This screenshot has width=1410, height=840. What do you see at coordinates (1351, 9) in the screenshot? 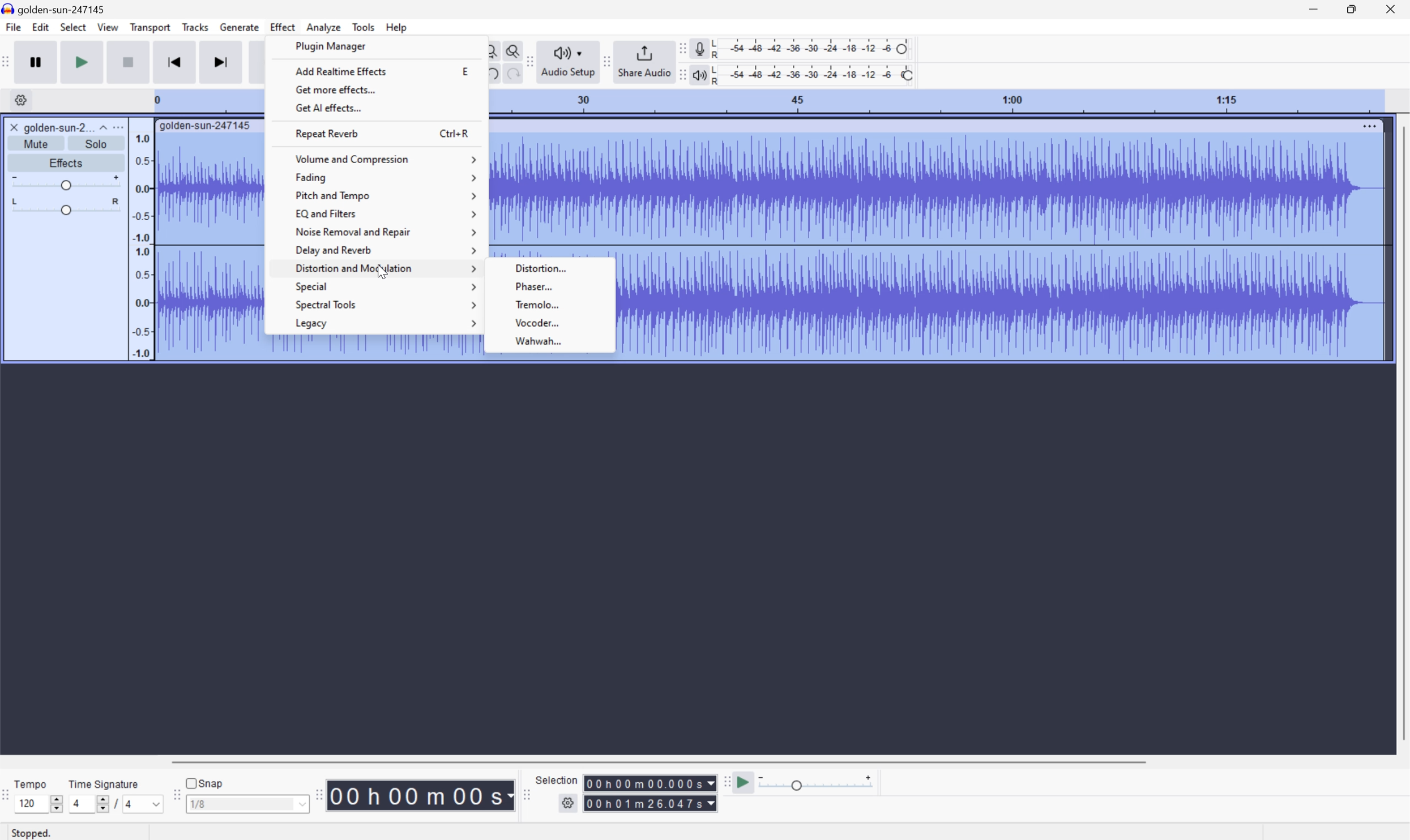
I see `Restore Down` at bounding box center [1351, 9].